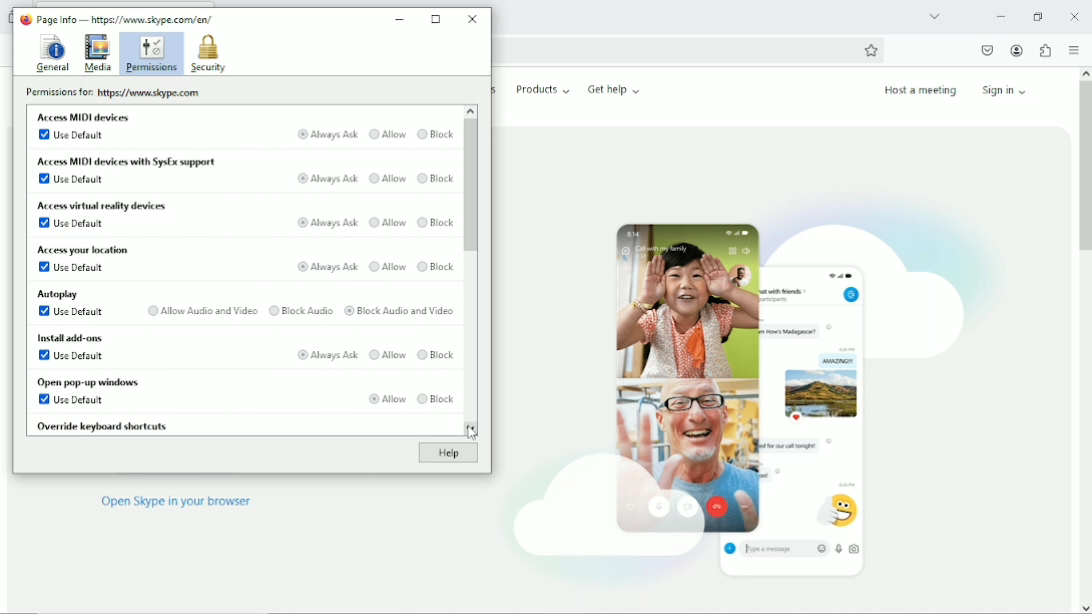 Image resolution: width=1092 pixels, height=614 pixels. What do you see at coordinates (435, 178) in the screenshot?
I see `Block` at bounding box center [435, 178].